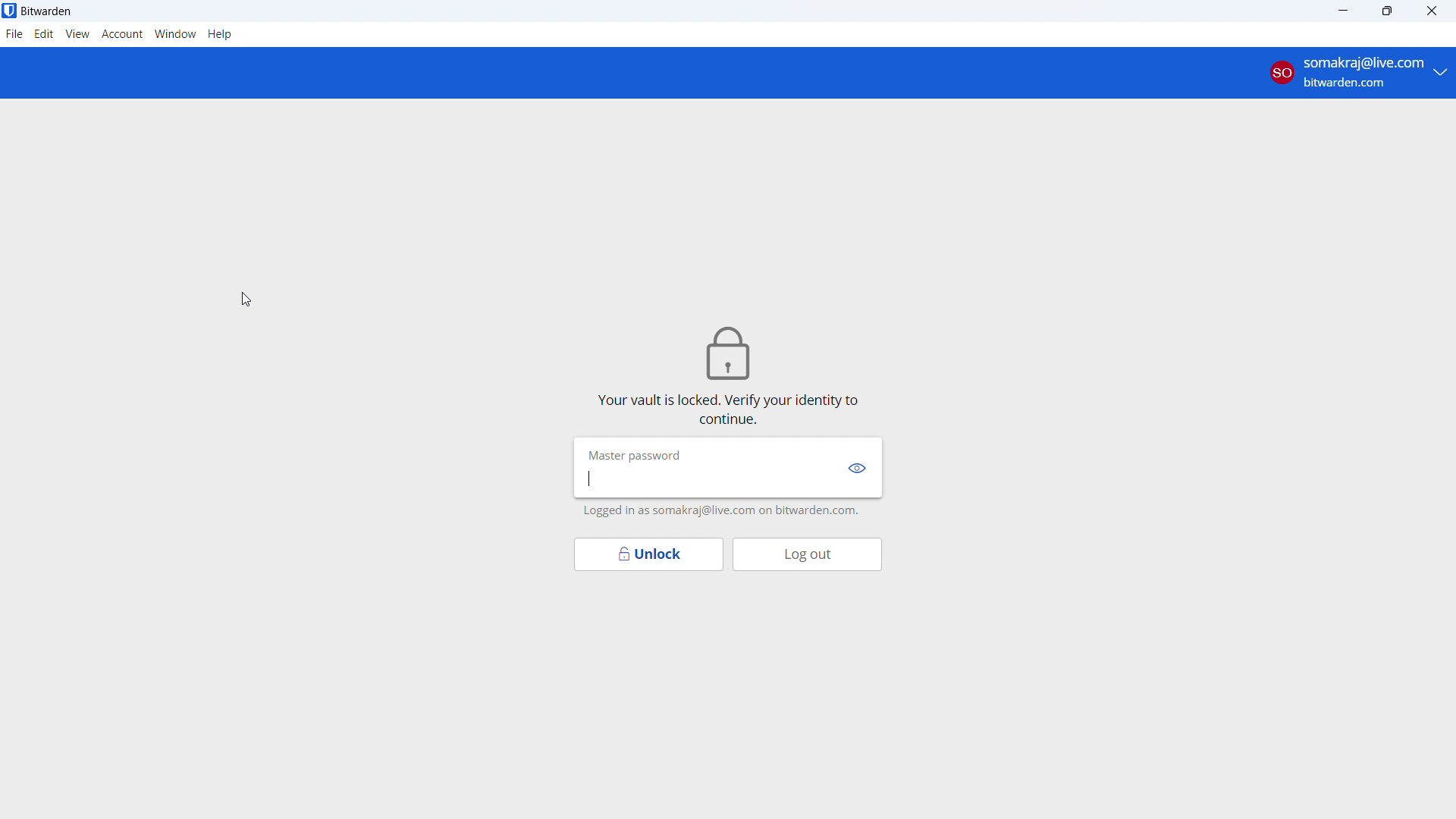 This screenshot has width=1456, height=819. What do you see at coordinates (858, 469) in the screenshot?
I see `show password` at bounding box center [858, 469].